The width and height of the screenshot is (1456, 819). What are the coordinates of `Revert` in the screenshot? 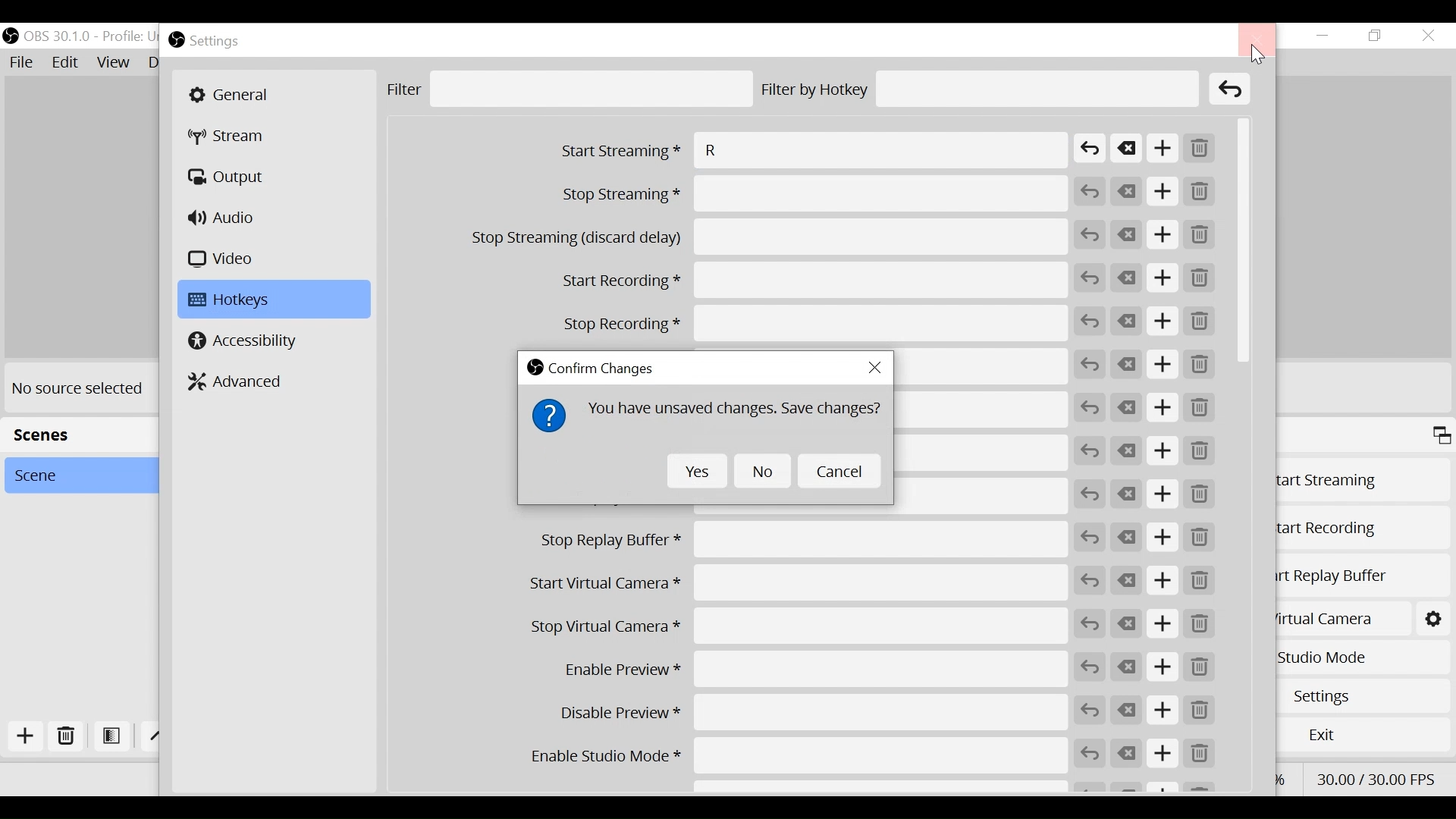 It's located at (1089, 149).